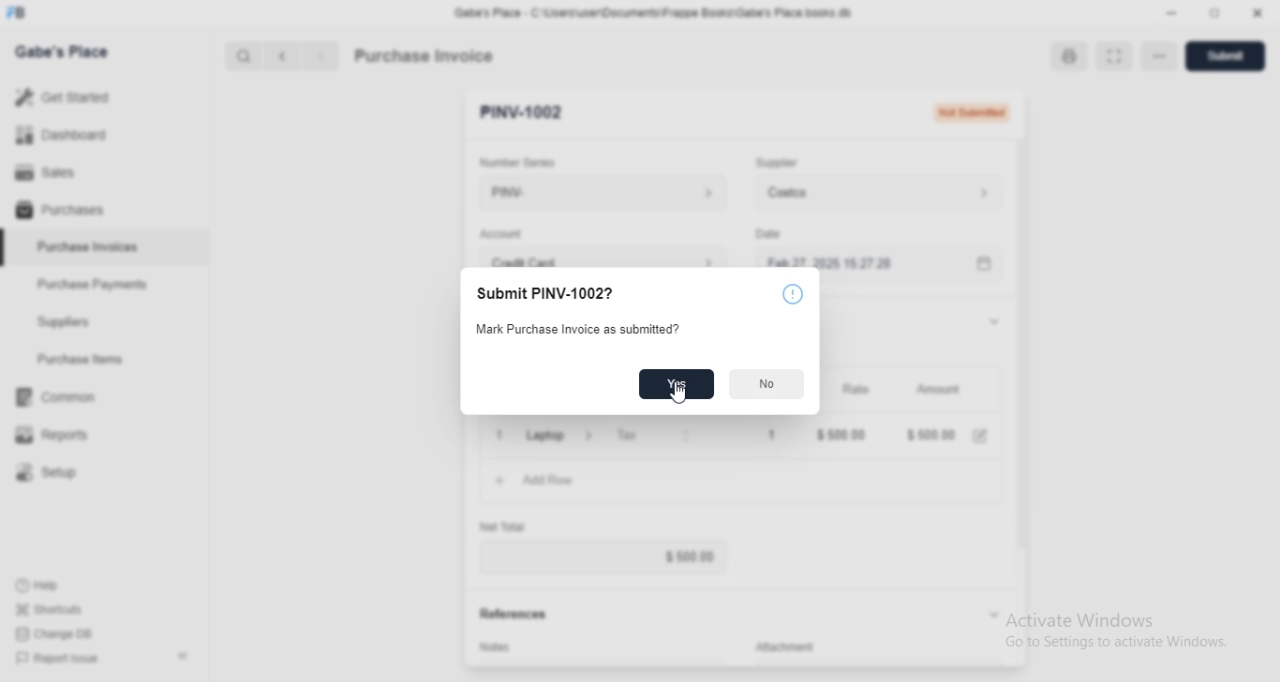  What do you see at coordinates (54, 634) in the screenshot?
I see `Change DB` at bounding box center [54, 634].